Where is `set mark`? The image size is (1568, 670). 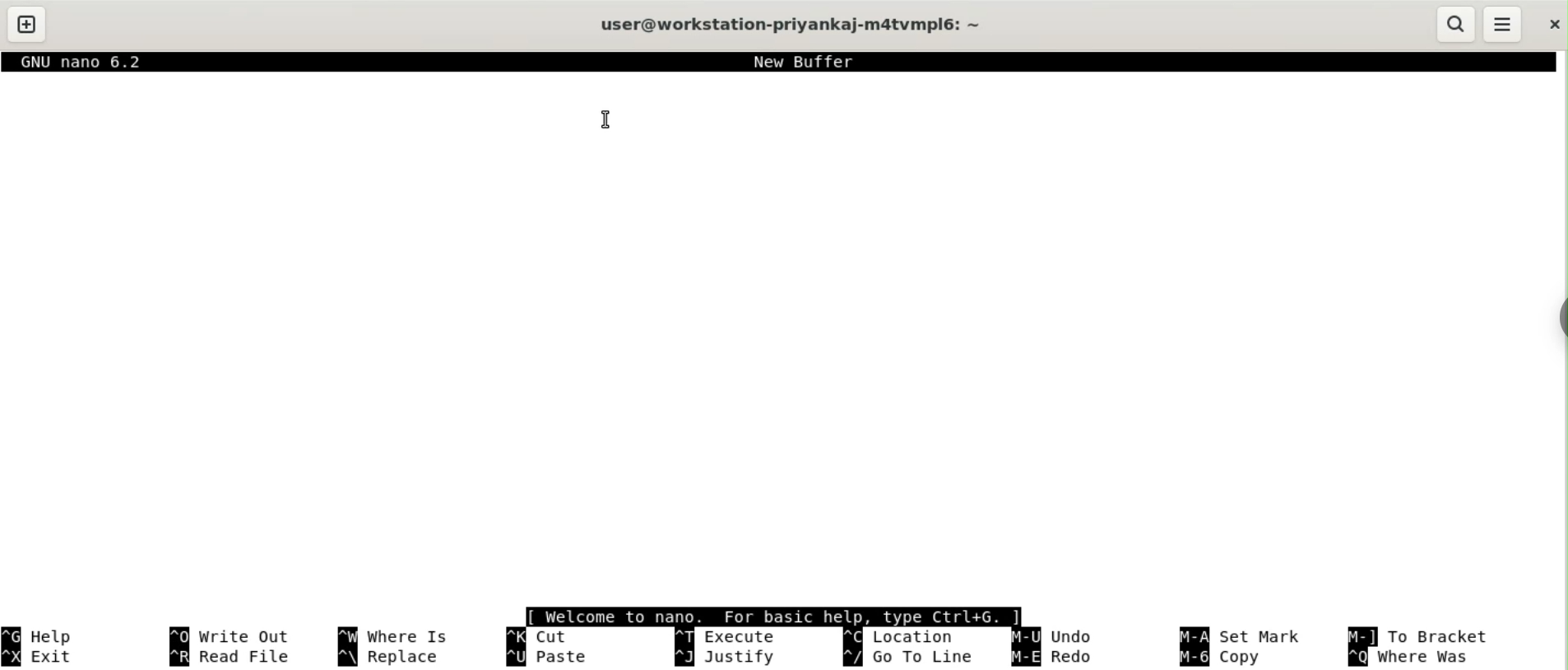
set mark is located at coordinates (1246, 636).